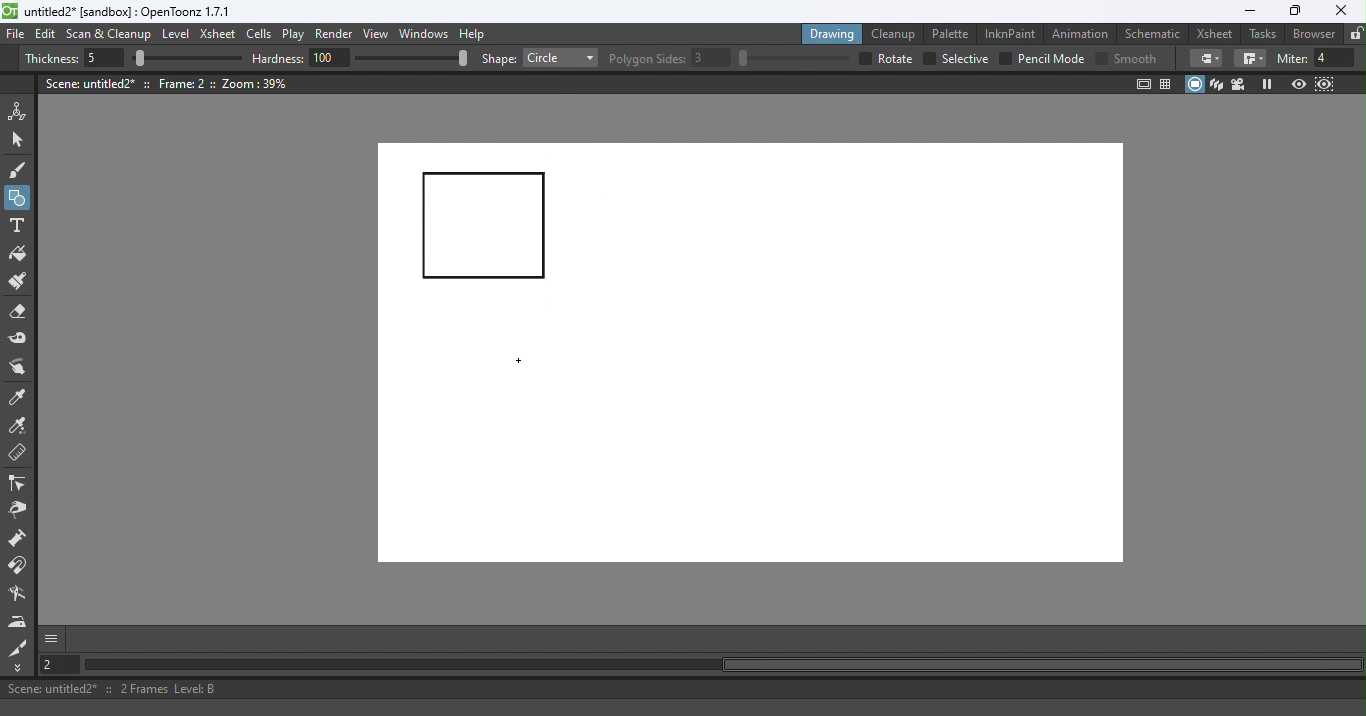 This screenshot has height=716, width=1366. Describe the element at coordinates (793, 58) in the screenshot. I see `slider` at that location.